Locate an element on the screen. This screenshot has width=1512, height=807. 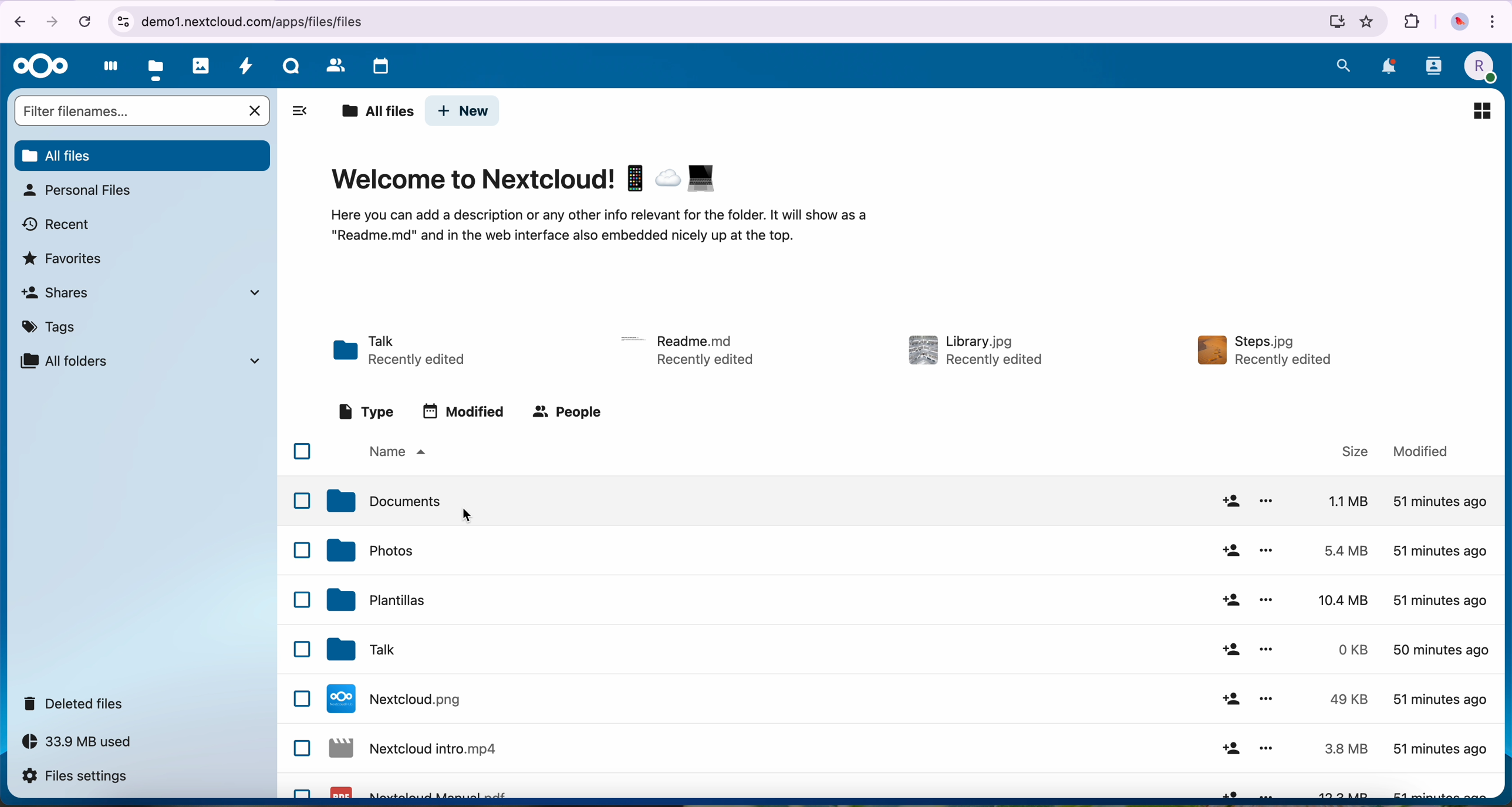
talk is located at coordinates (290, 69).